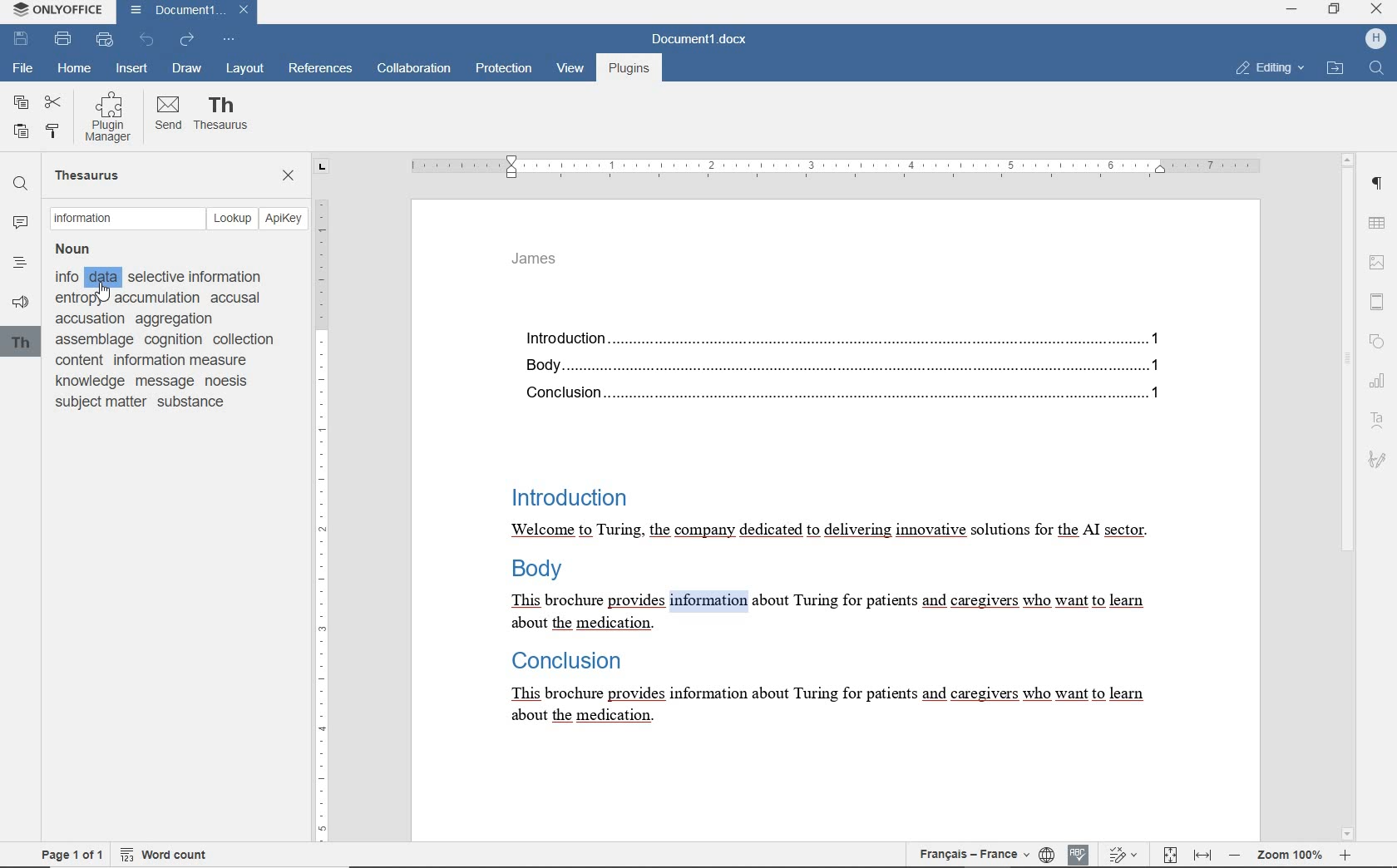  What do you see at coordinates (833, 611) in the screenshot?
I see `This brochure provides information about Turing for patients and caregivers who want to learn
about the medication.` at bounding box center [833, 611].